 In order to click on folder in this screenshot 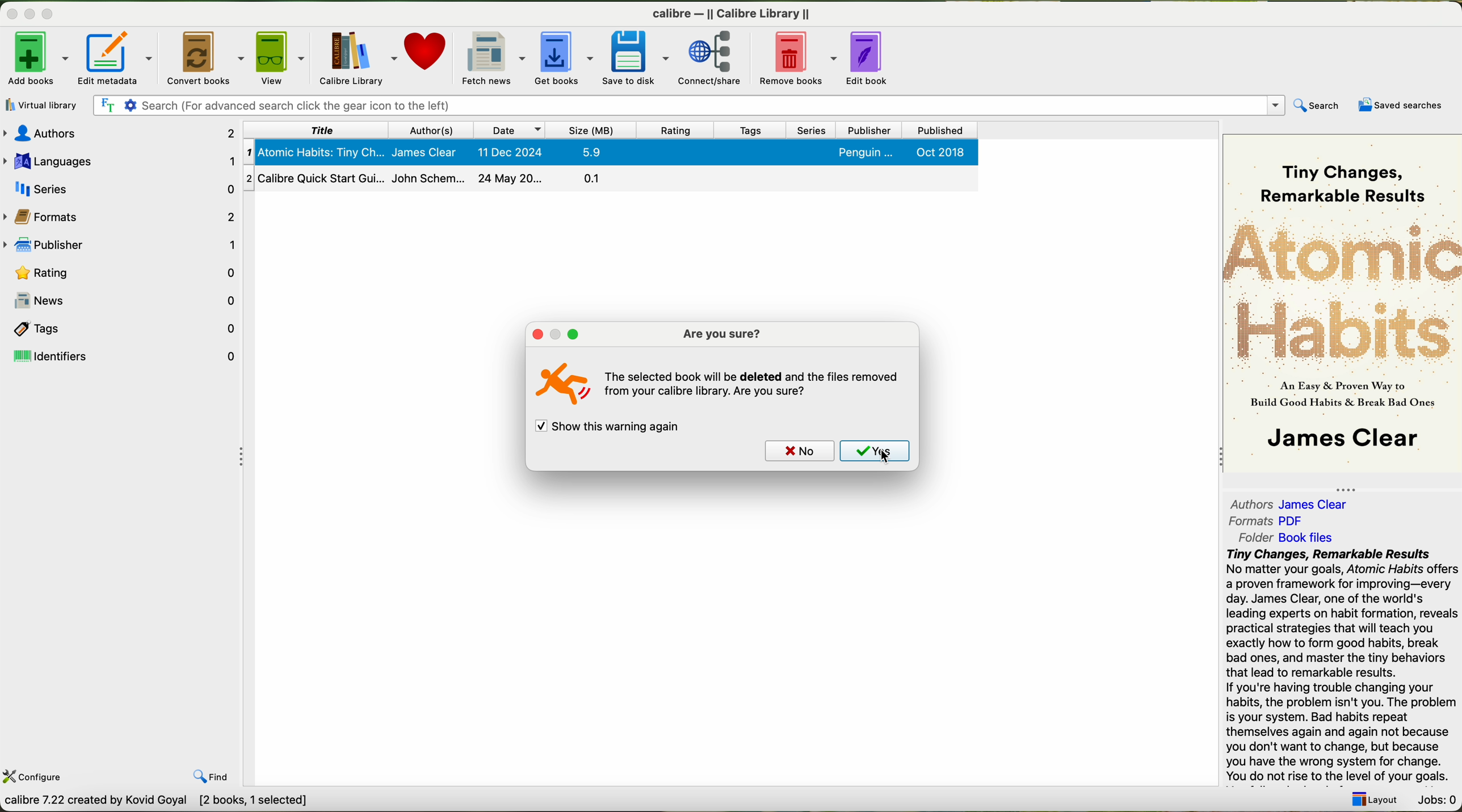, I will do `click(1294, 537)`.